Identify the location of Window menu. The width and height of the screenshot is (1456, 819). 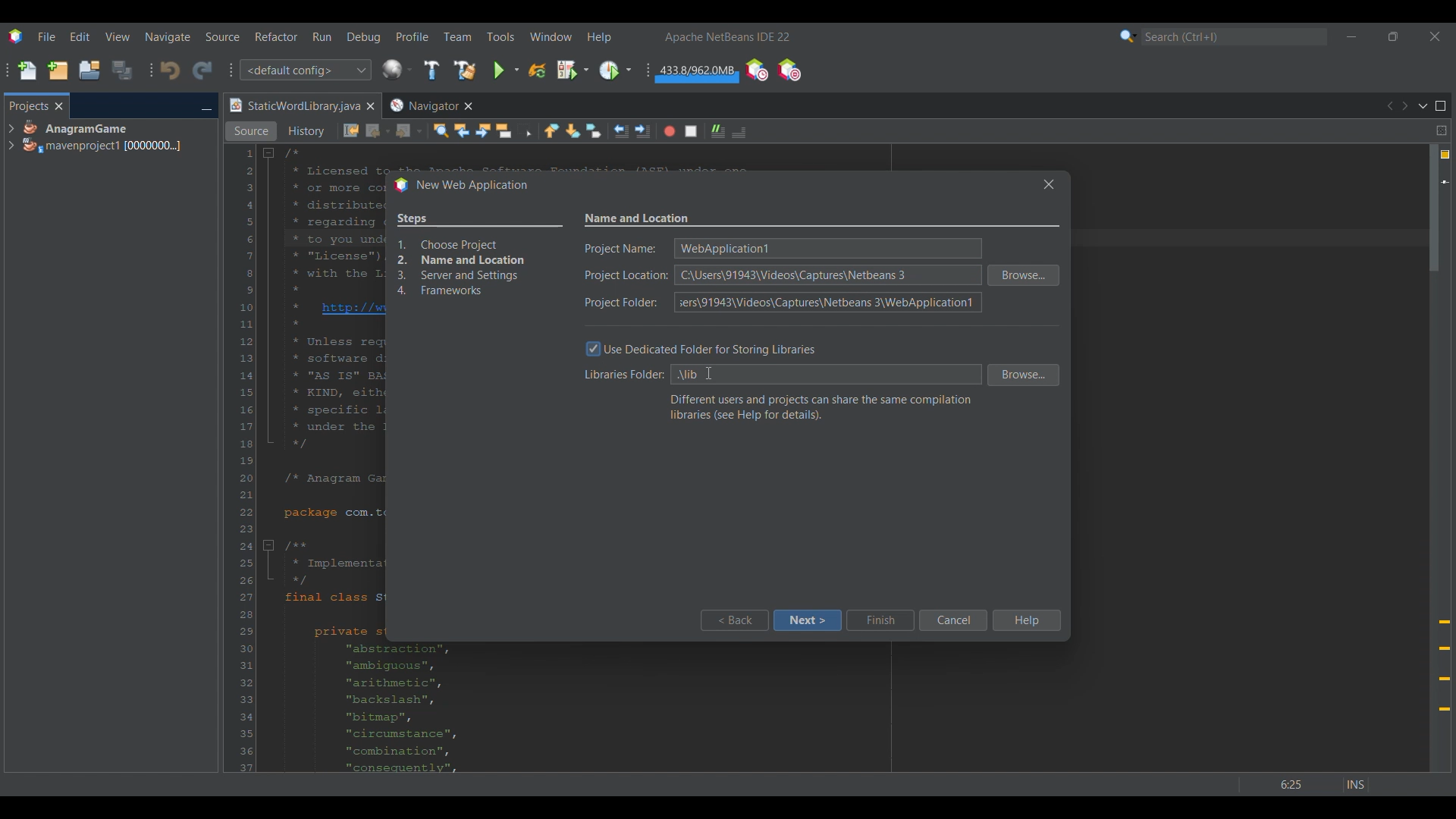
(551, 36).